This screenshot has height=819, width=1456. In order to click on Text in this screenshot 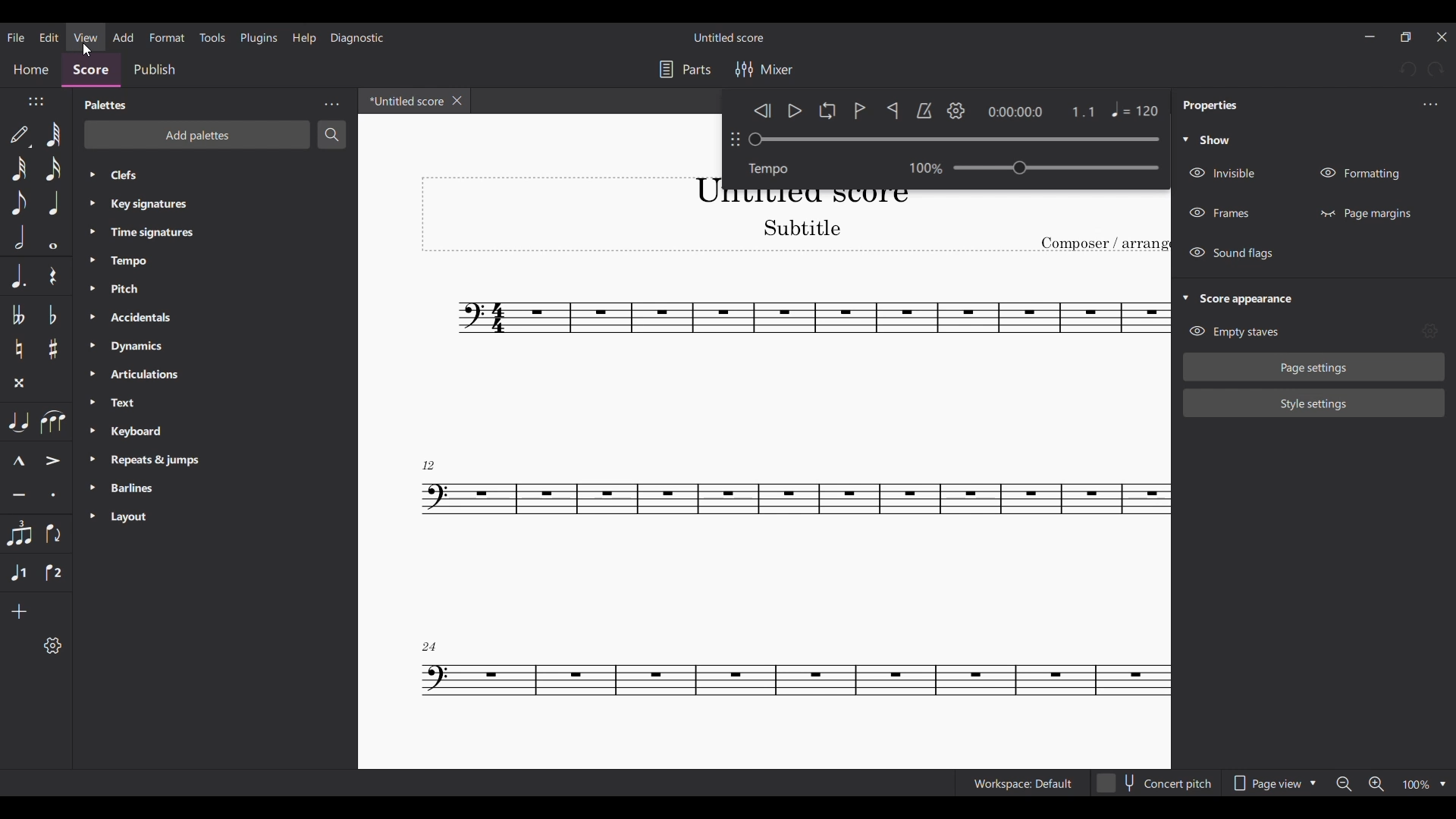, I will do `click(199, 403)`.